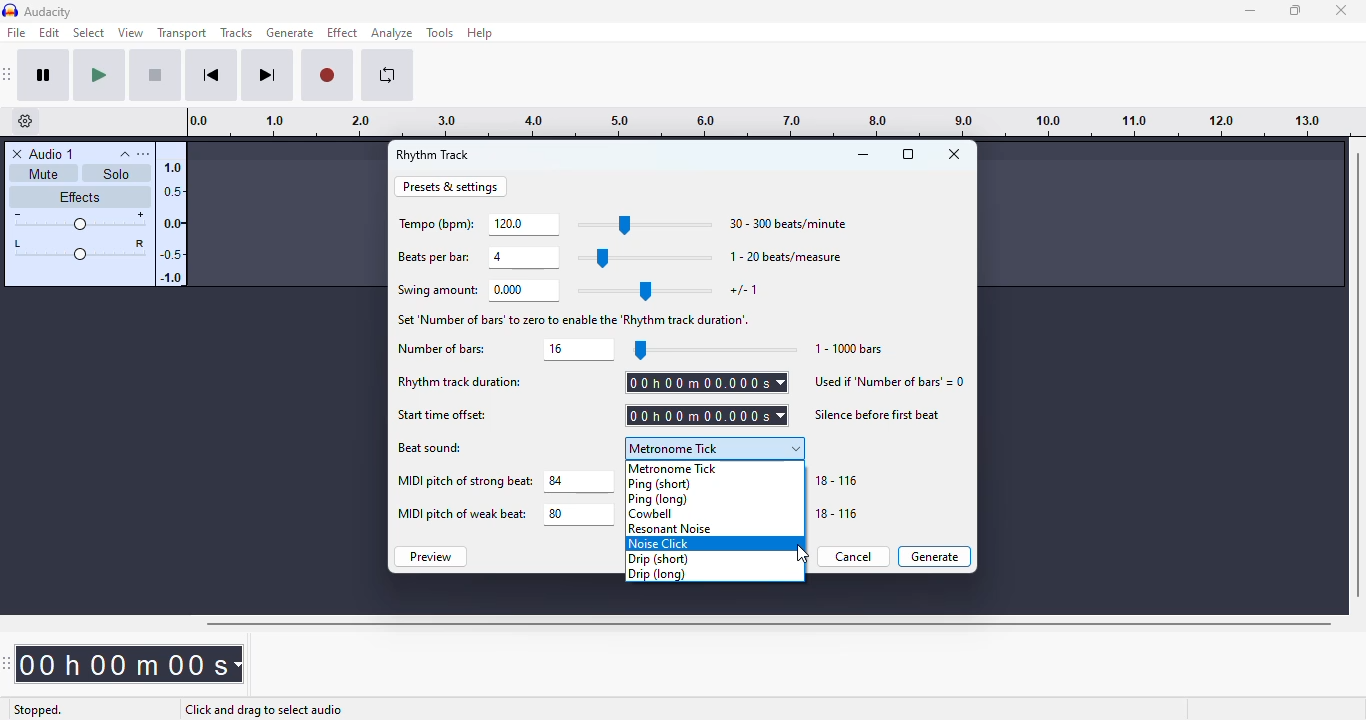 The image size is (1366, 720). Describe the element at coordinates (343, 32) in the screenshot. I see `effect` at that location.